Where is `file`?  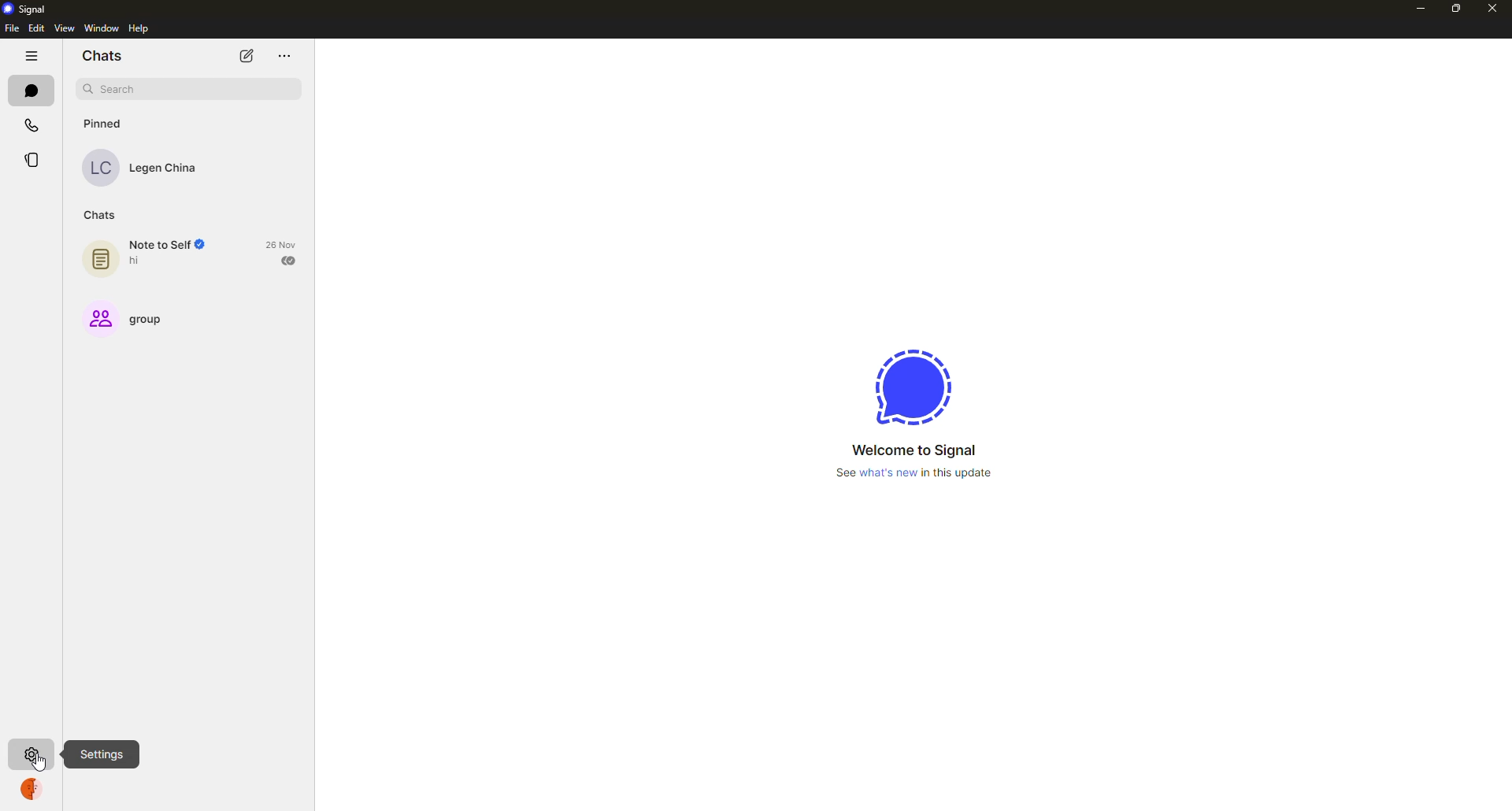 file is located at coordinates (11, 28).